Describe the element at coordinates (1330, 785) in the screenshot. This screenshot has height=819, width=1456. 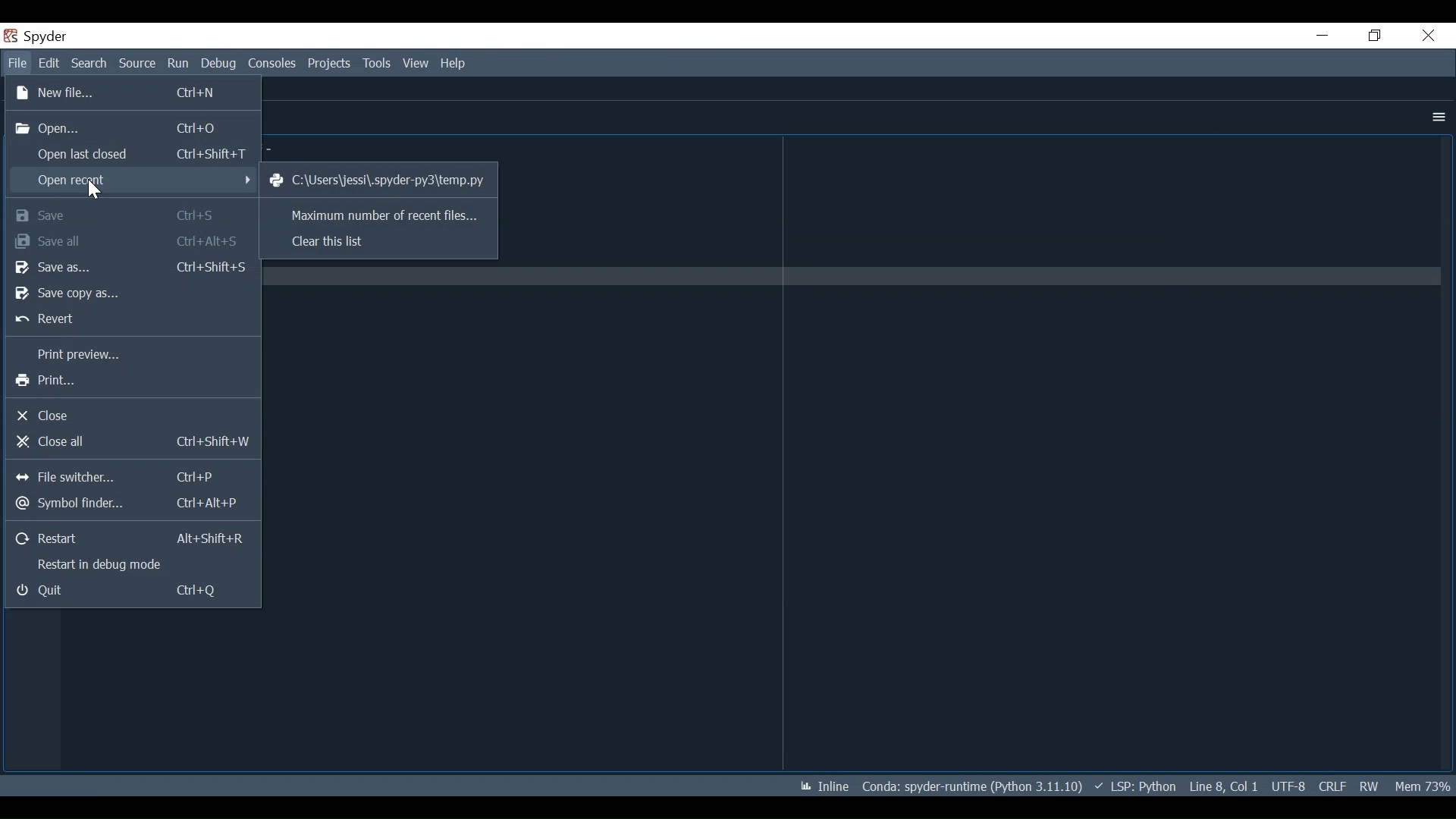
I see `File EQL Status` at that location.